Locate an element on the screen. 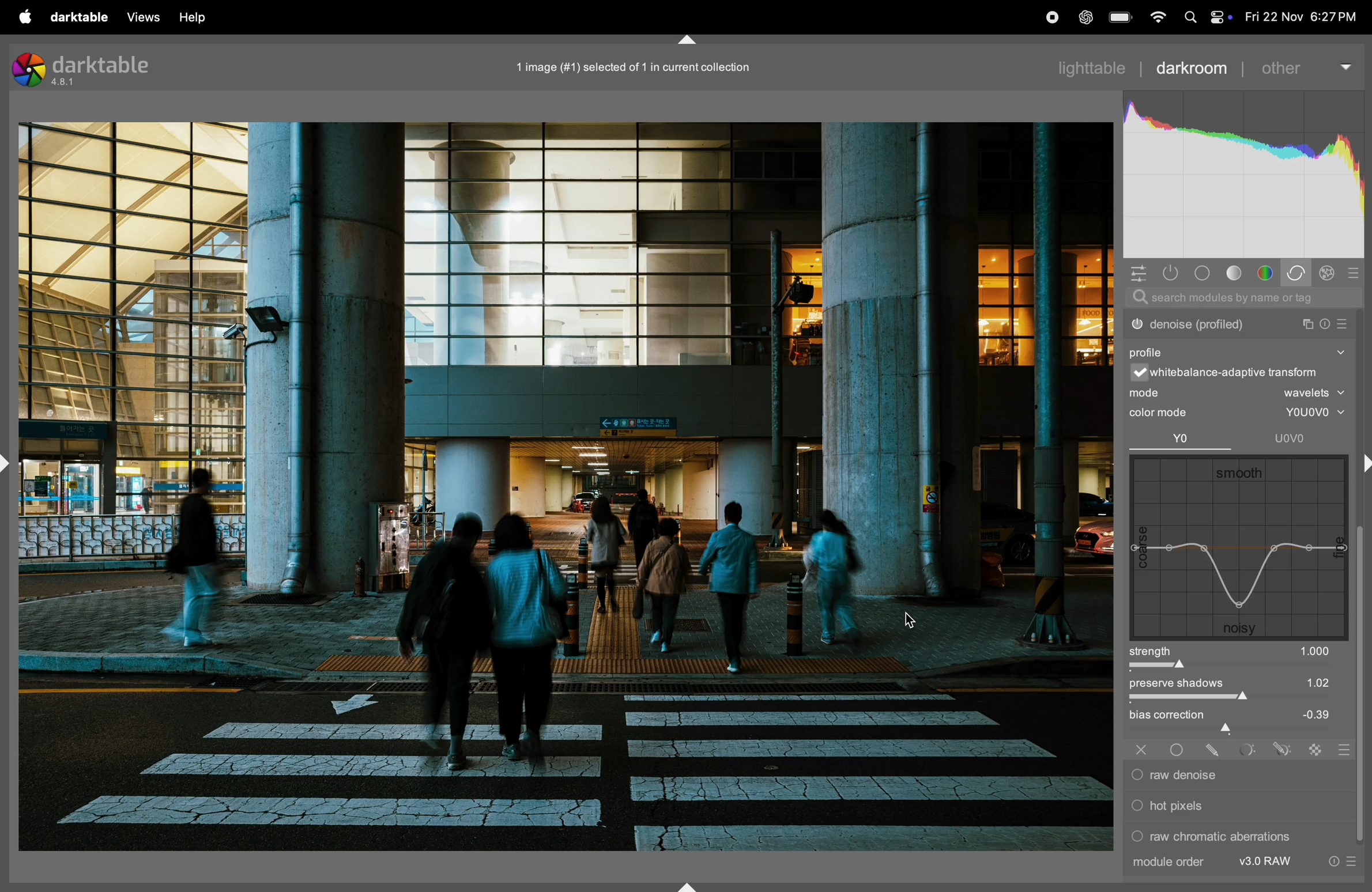 The image size is (1372, 892). 1 imge selected is located at coordinates (636, 67).